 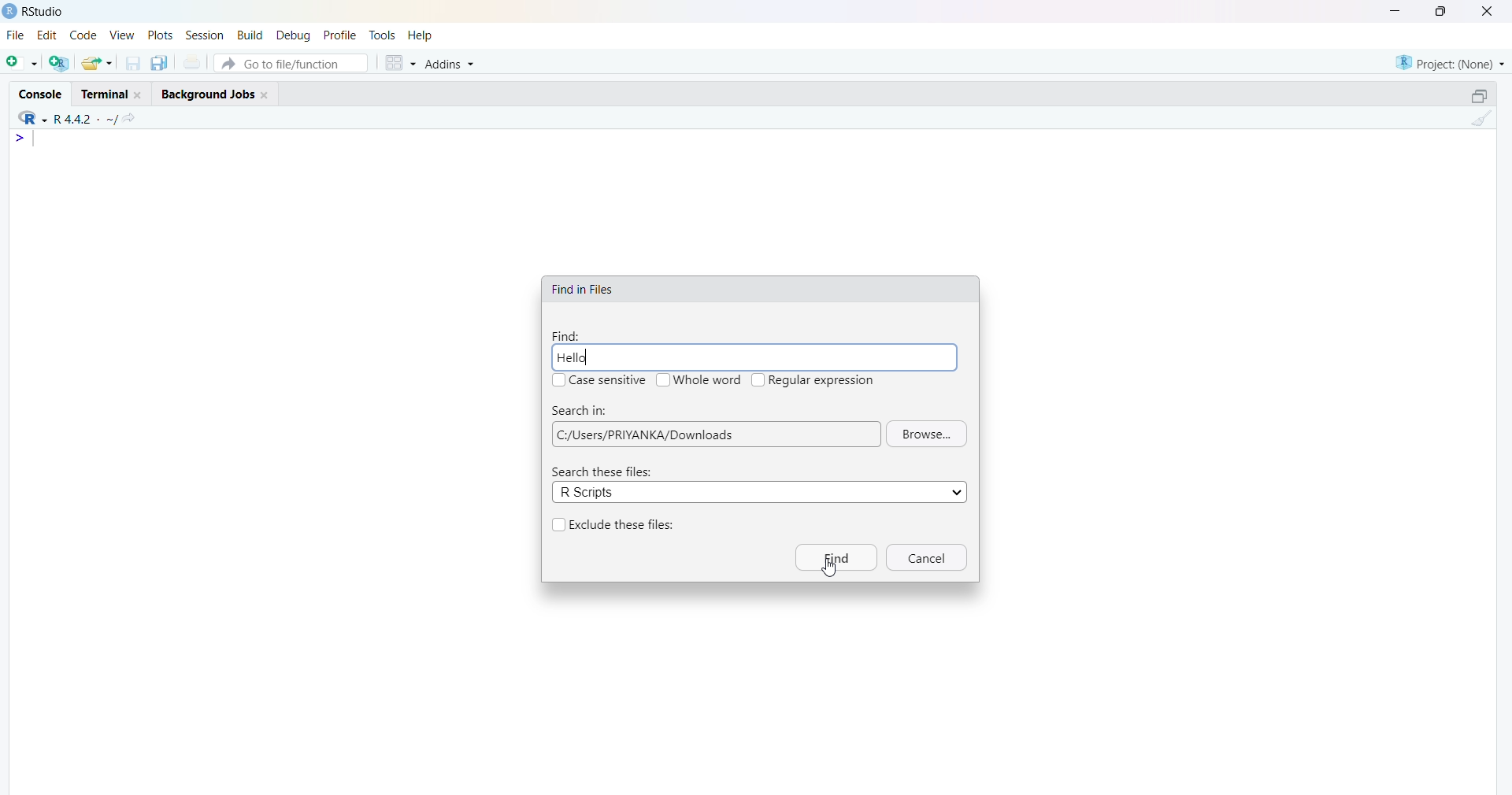 What do you see at coordinates (98, 63) in the screenshot?
I see `share` at bounding box center [98, 63].